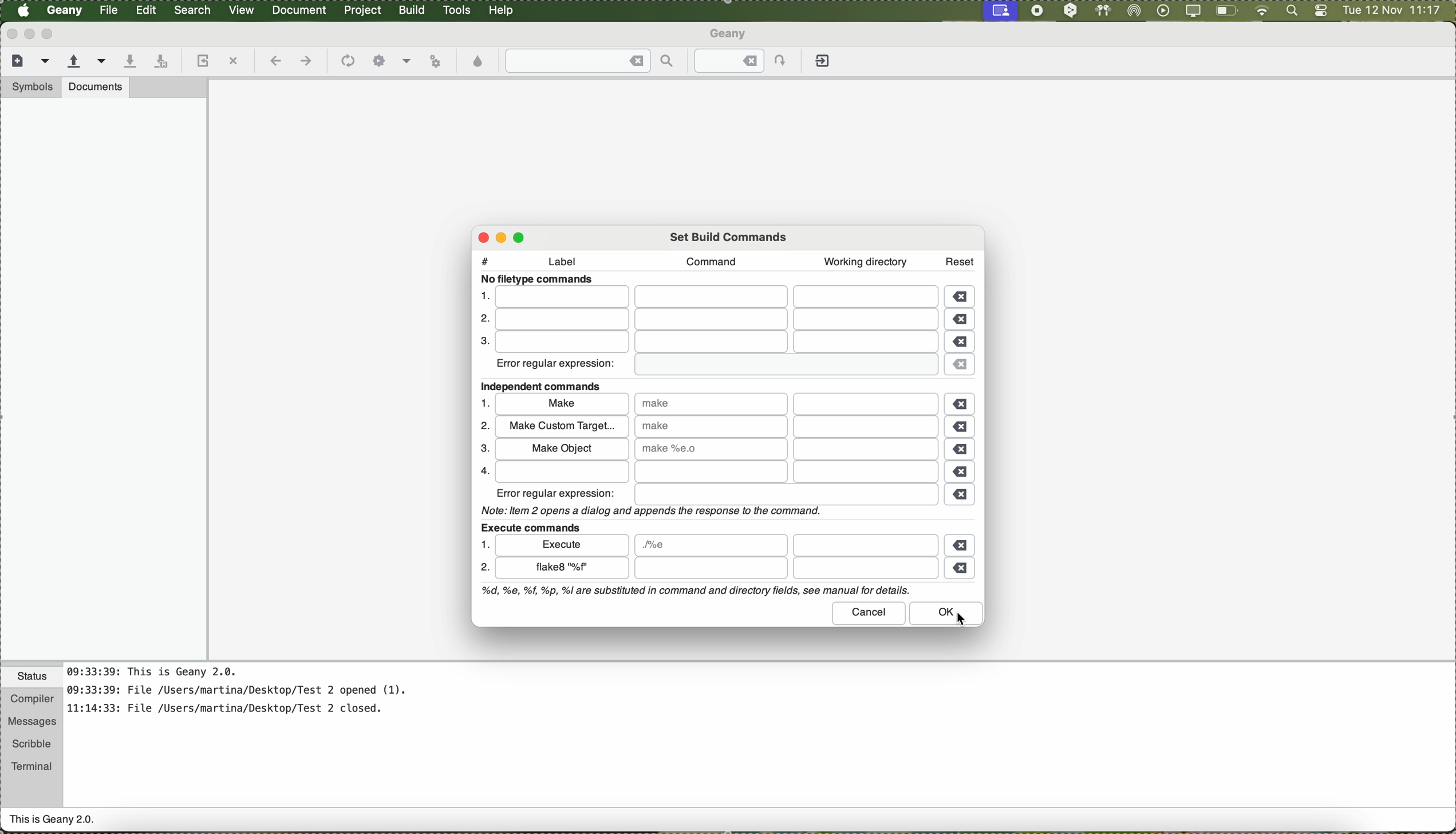 The height and width of the screenshot is (834, 1456). What do you see at coordinates (717, 297) in the screenshot?
I see `file` at bounding box center [717, 297].